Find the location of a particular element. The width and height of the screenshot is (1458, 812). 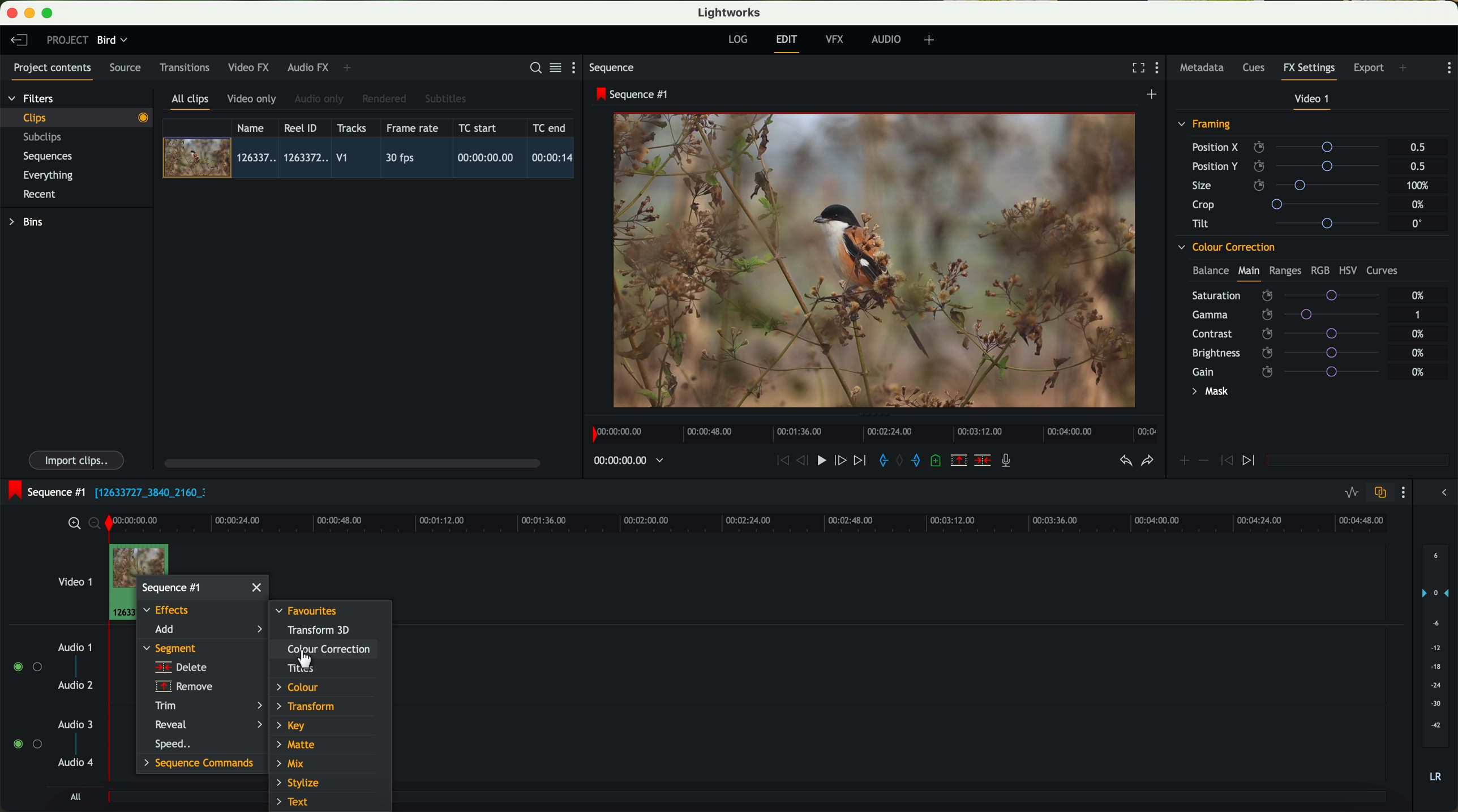

record a voice-over is located at coordinates (1010, 462).